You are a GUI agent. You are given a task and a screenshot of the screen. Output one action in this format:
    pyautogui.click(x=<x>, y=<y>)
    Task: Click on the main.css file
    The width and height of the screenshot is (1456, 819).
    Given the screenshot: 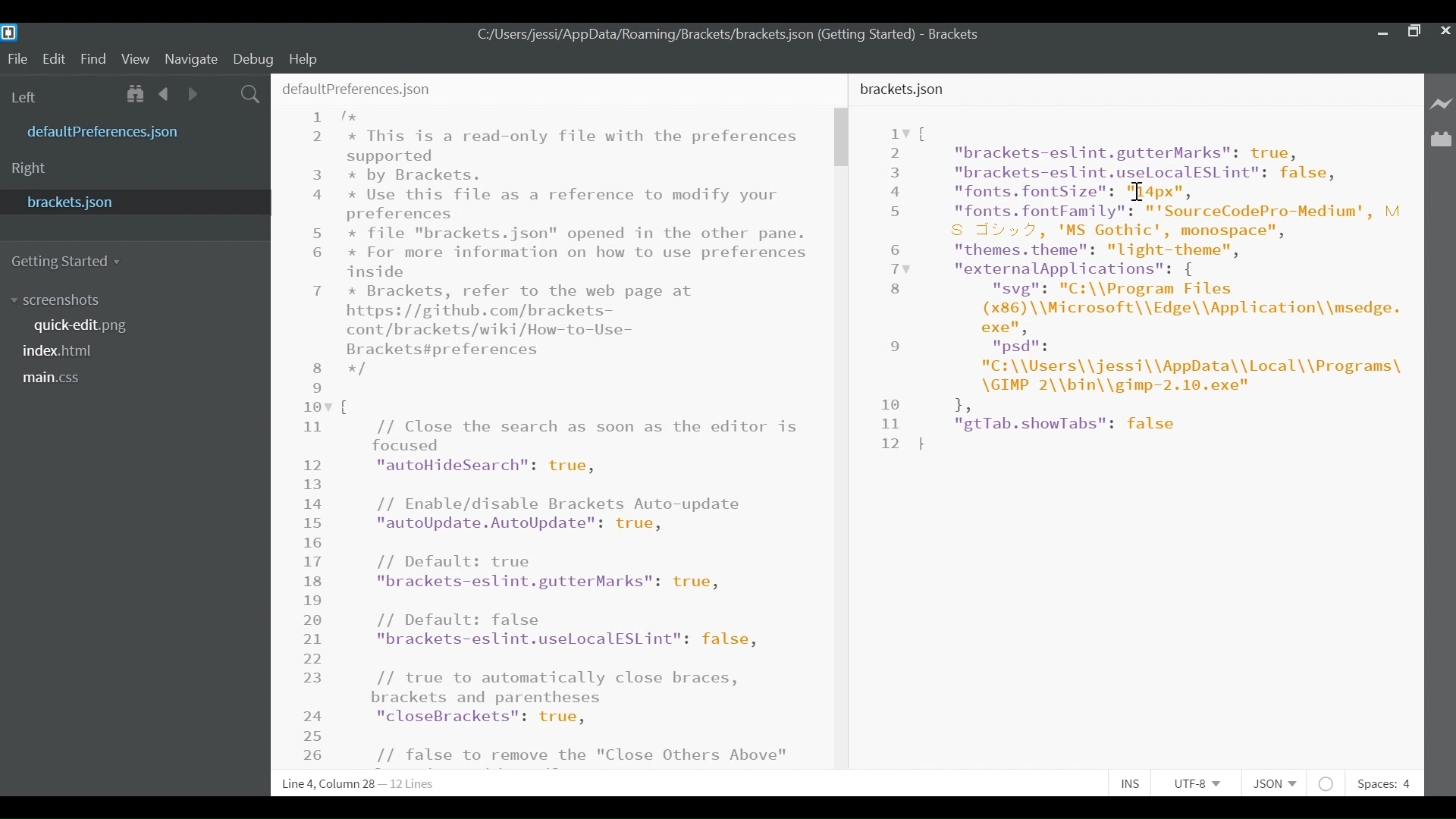 What is the action you would take?
    pyautogui.click(x=56, y=377)
    